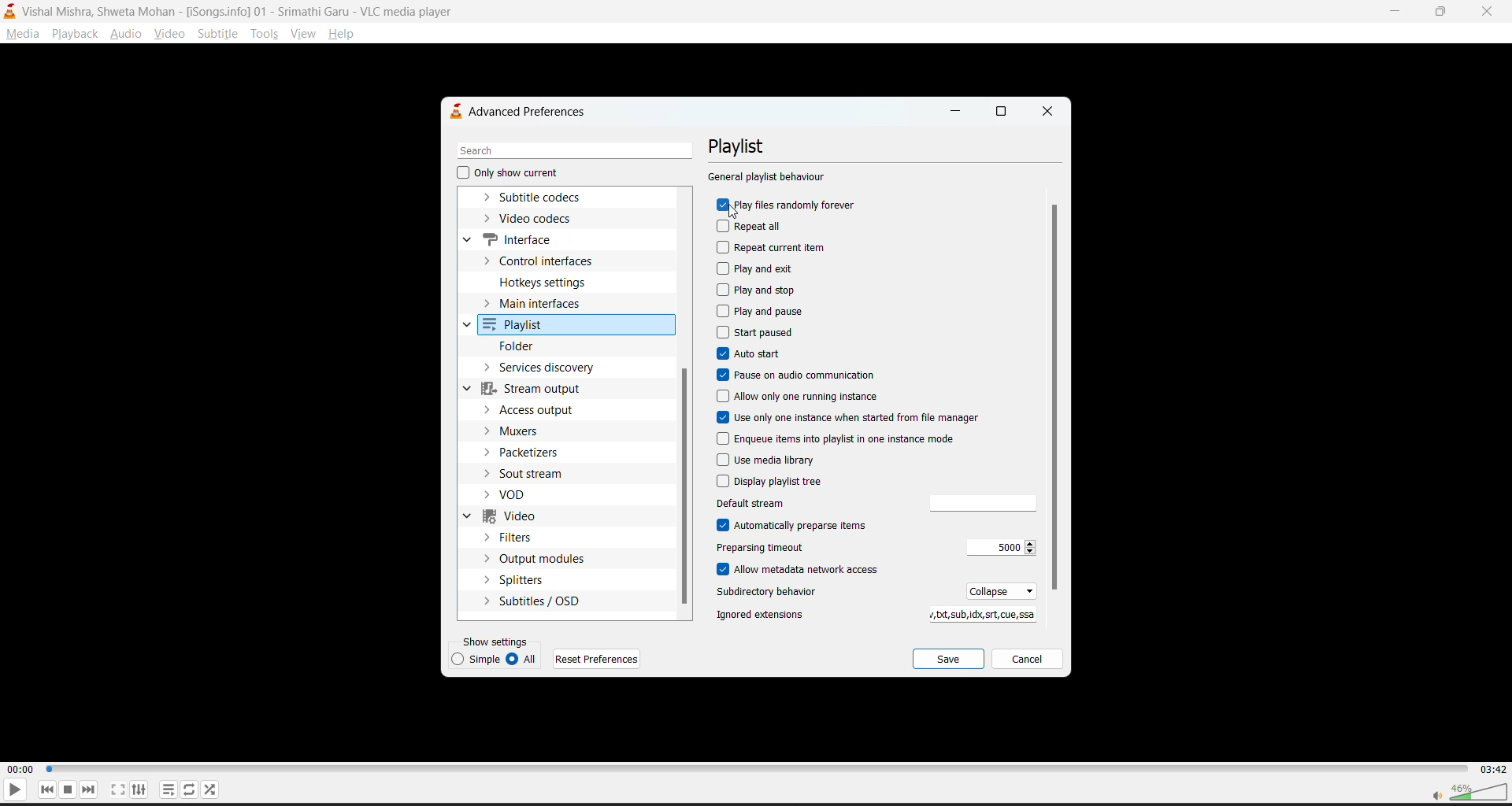 The image size is (1512, 806). I want to click on play and pause, so click(761, 312).